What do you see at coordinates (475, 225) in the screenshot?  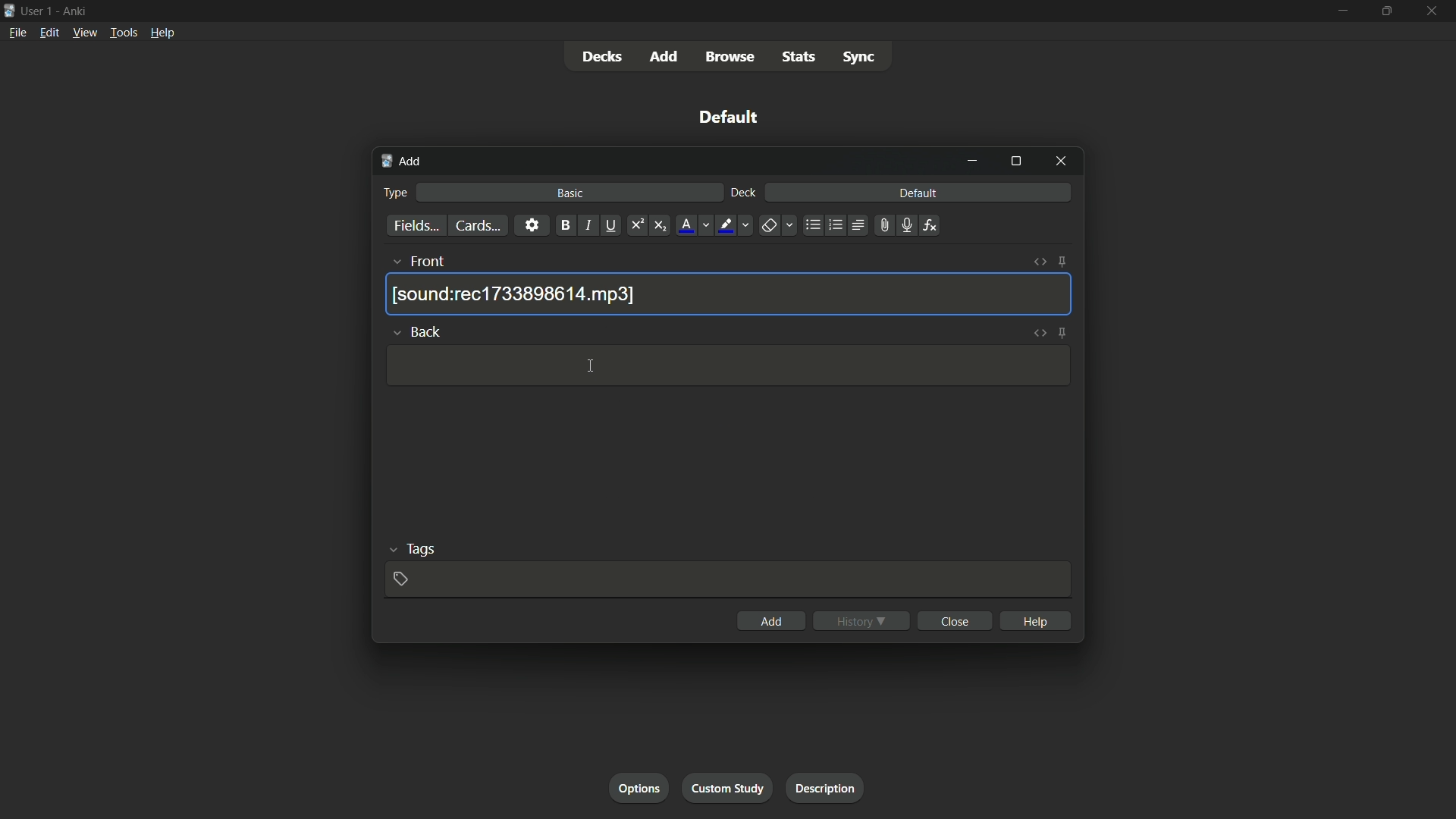 I see `cards` at bounding box center [475, 225].